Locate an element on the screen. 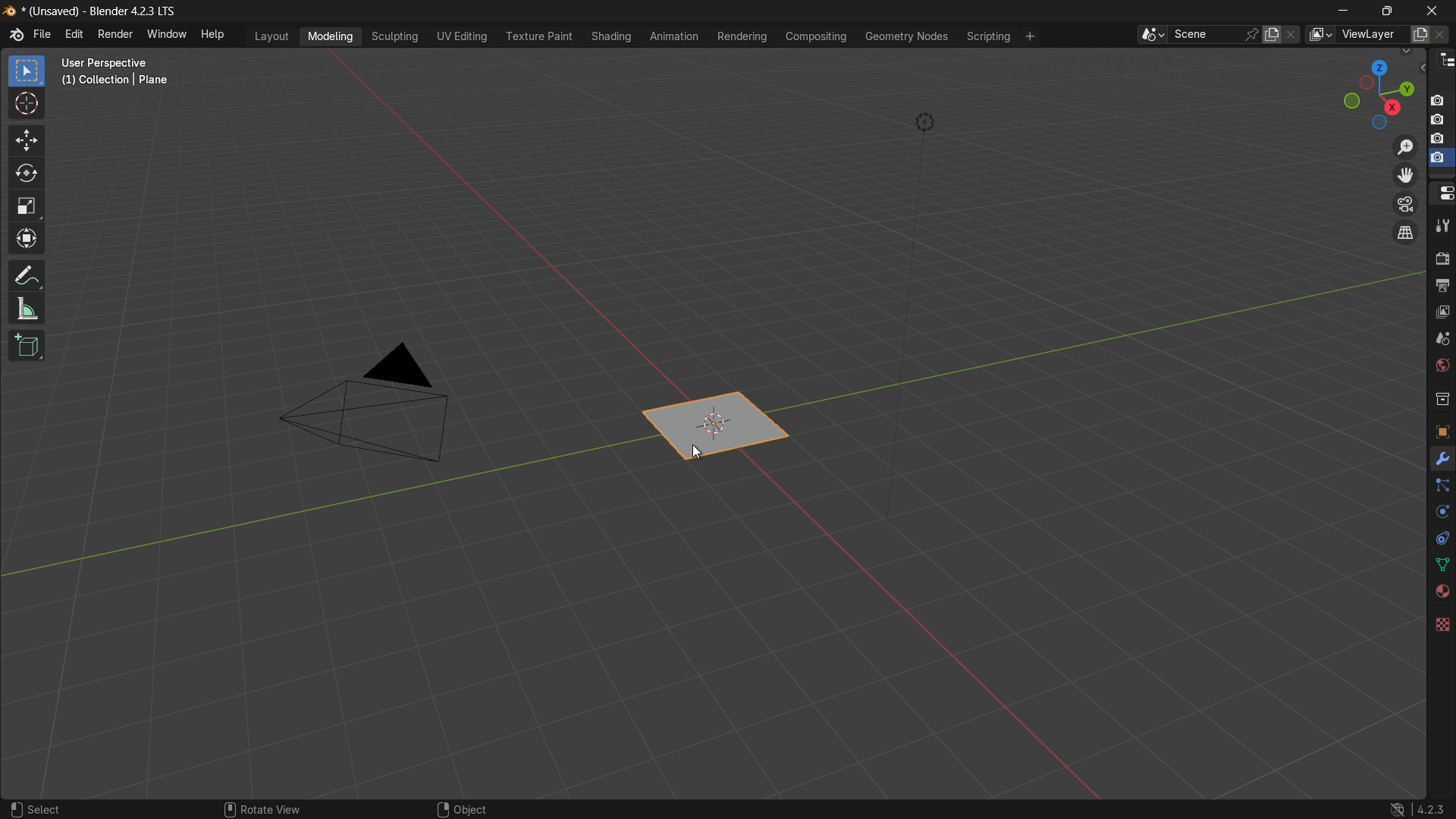 This screenshot has width=1456, height=819. select is located at coordinates (38, 805).